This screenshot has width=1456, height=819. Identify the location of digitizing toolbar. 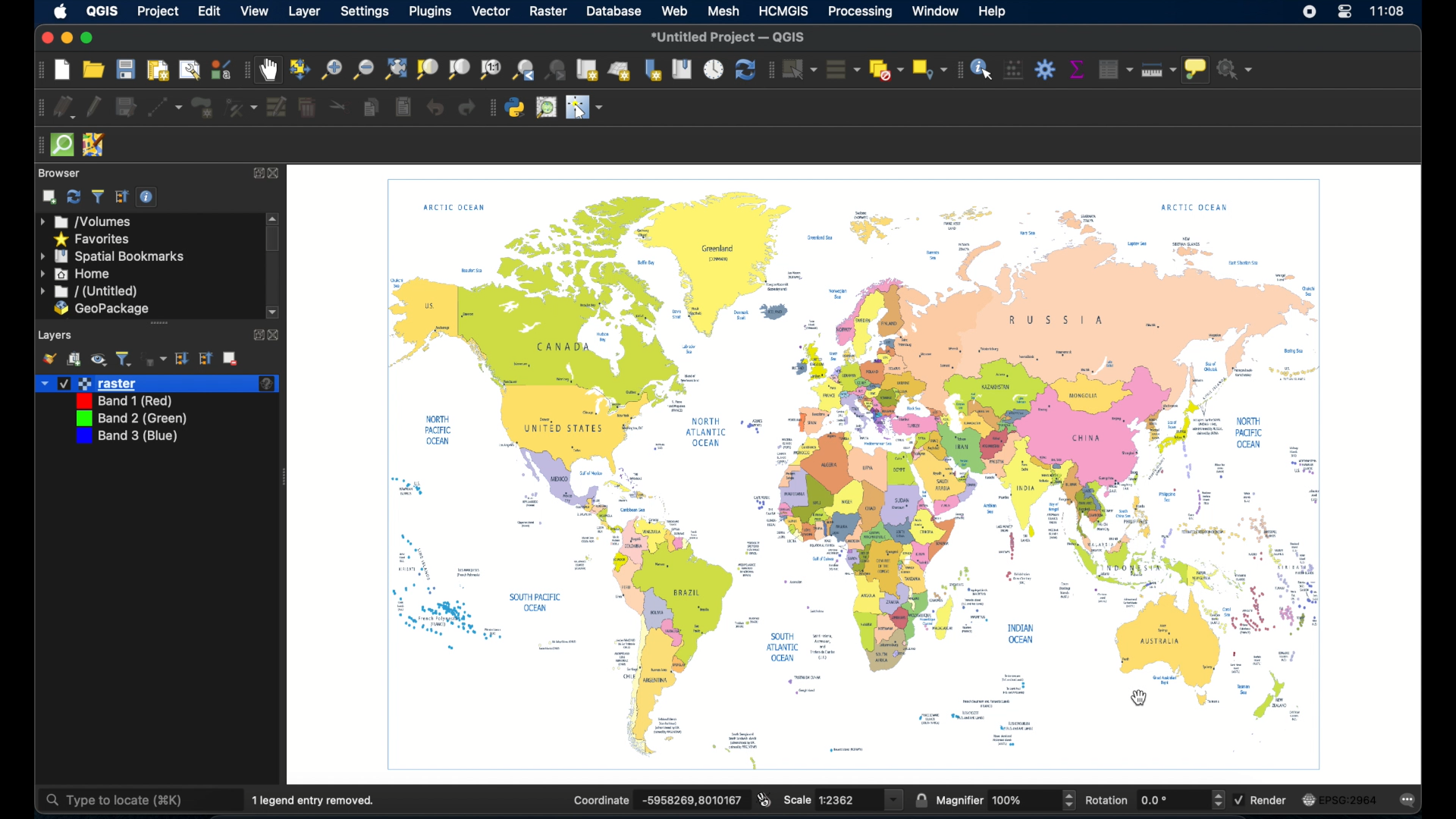
(36, 108).